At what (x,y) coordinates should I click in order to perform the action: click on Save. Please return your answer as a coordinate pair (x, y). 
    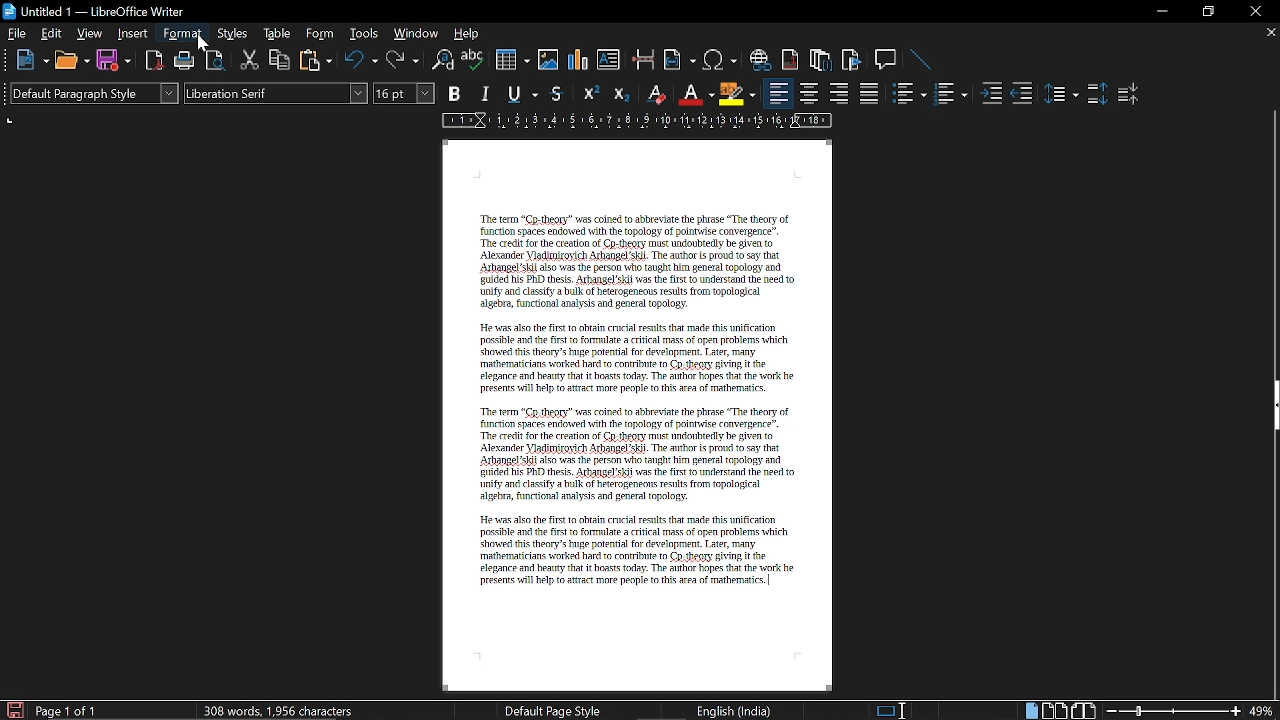
    Looking at the image, I should click on (11, 710).